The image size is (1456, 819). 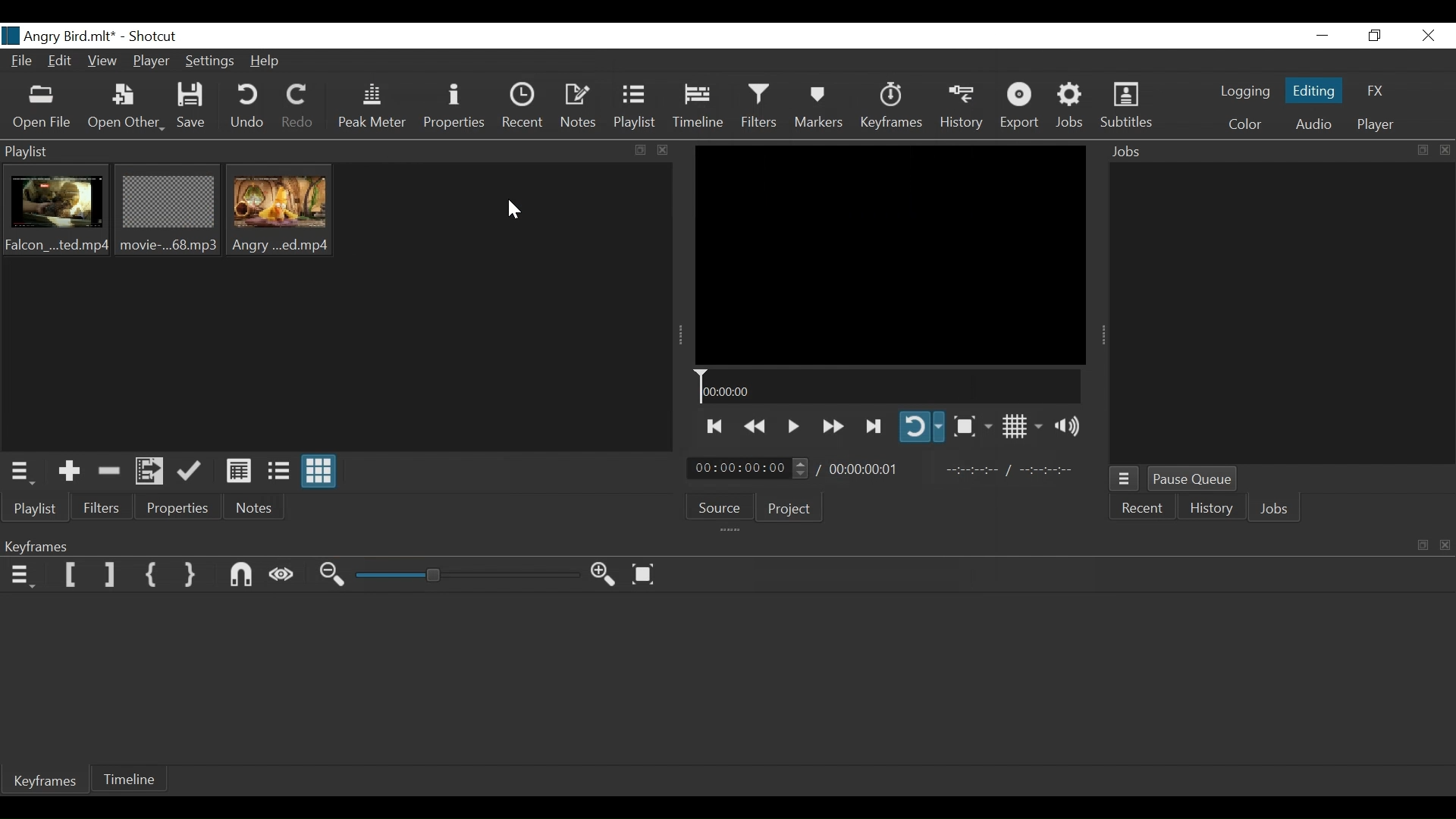 I want to click on Zoom Keyframe out, so click(x=335, y=577).